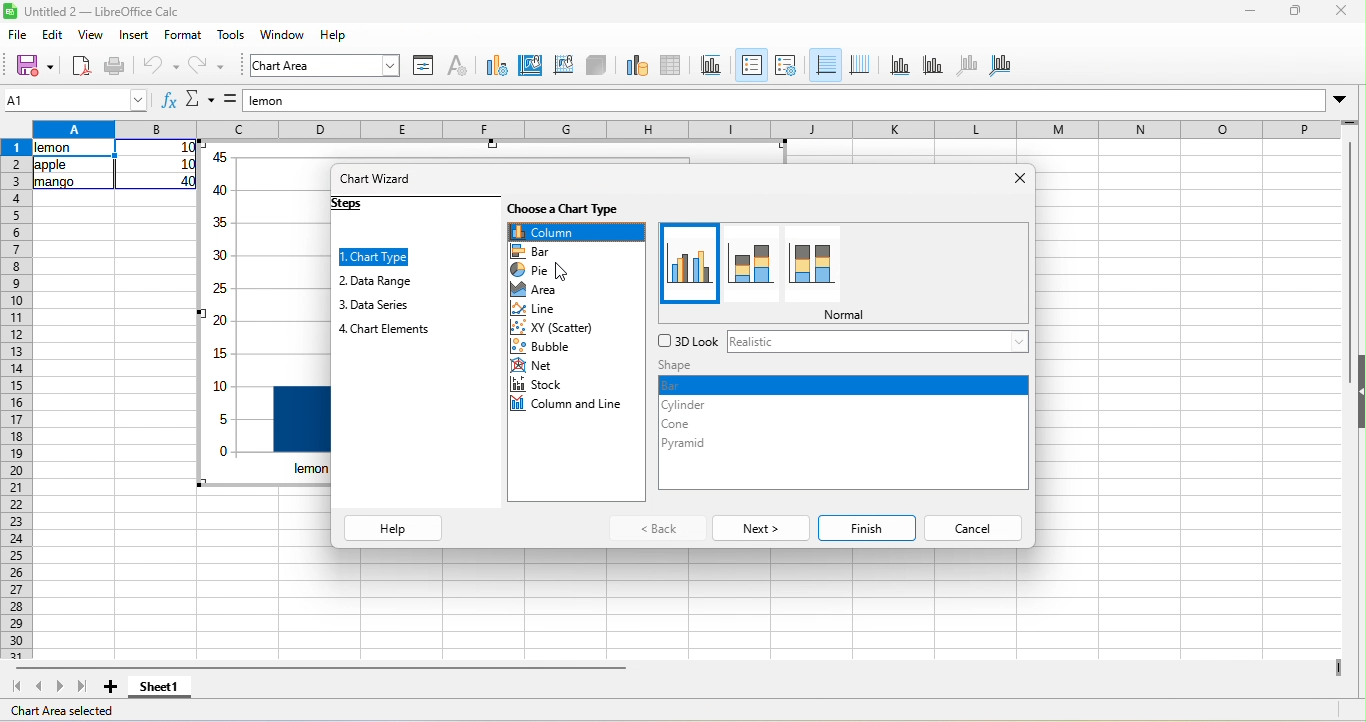  Describe the element at coordinates (76, 100) in the screenshot. I see `a1` at that location.